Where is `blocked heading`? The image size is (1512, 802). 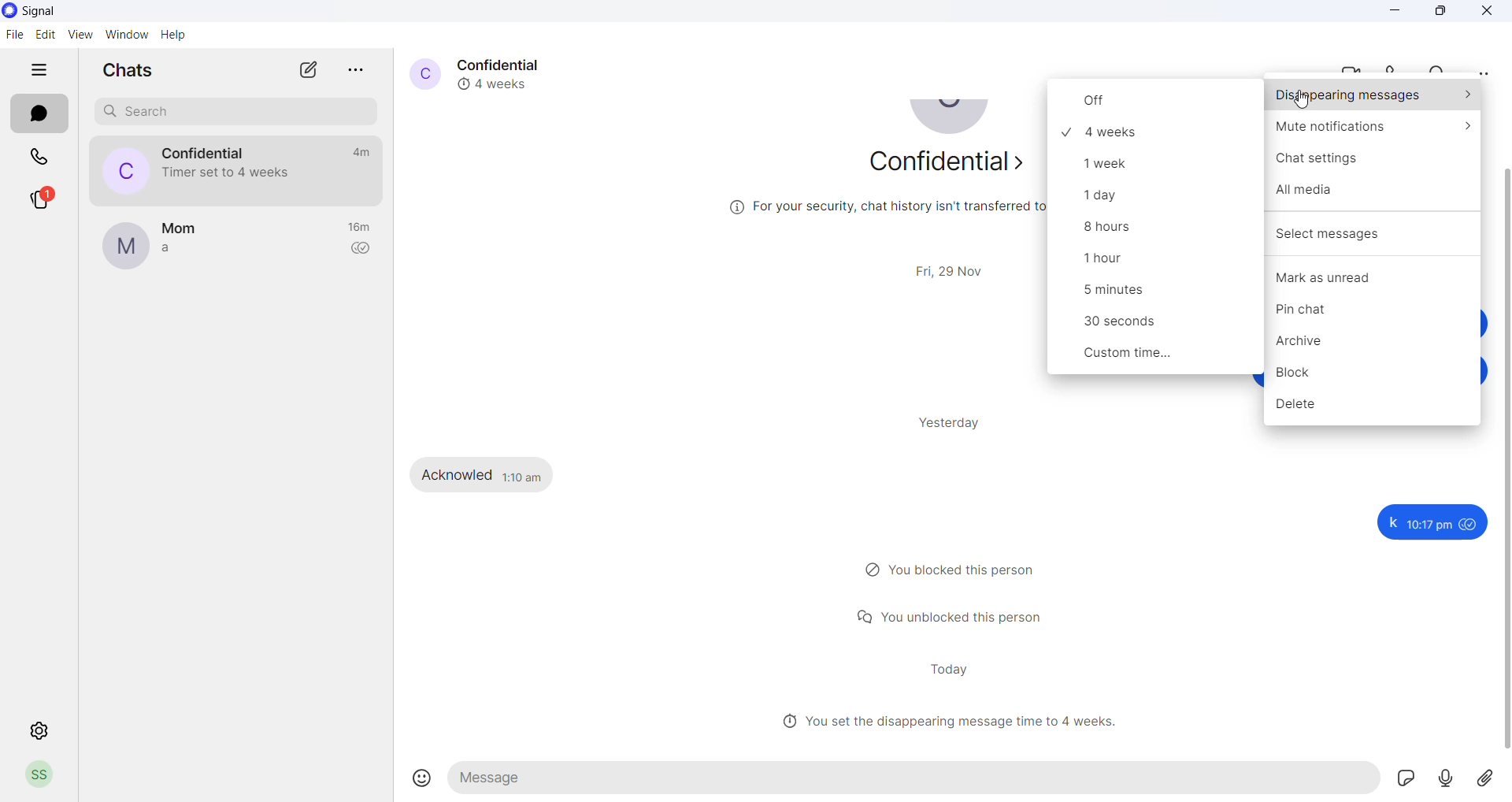 blocked heading is located at coordinates (958, 570).